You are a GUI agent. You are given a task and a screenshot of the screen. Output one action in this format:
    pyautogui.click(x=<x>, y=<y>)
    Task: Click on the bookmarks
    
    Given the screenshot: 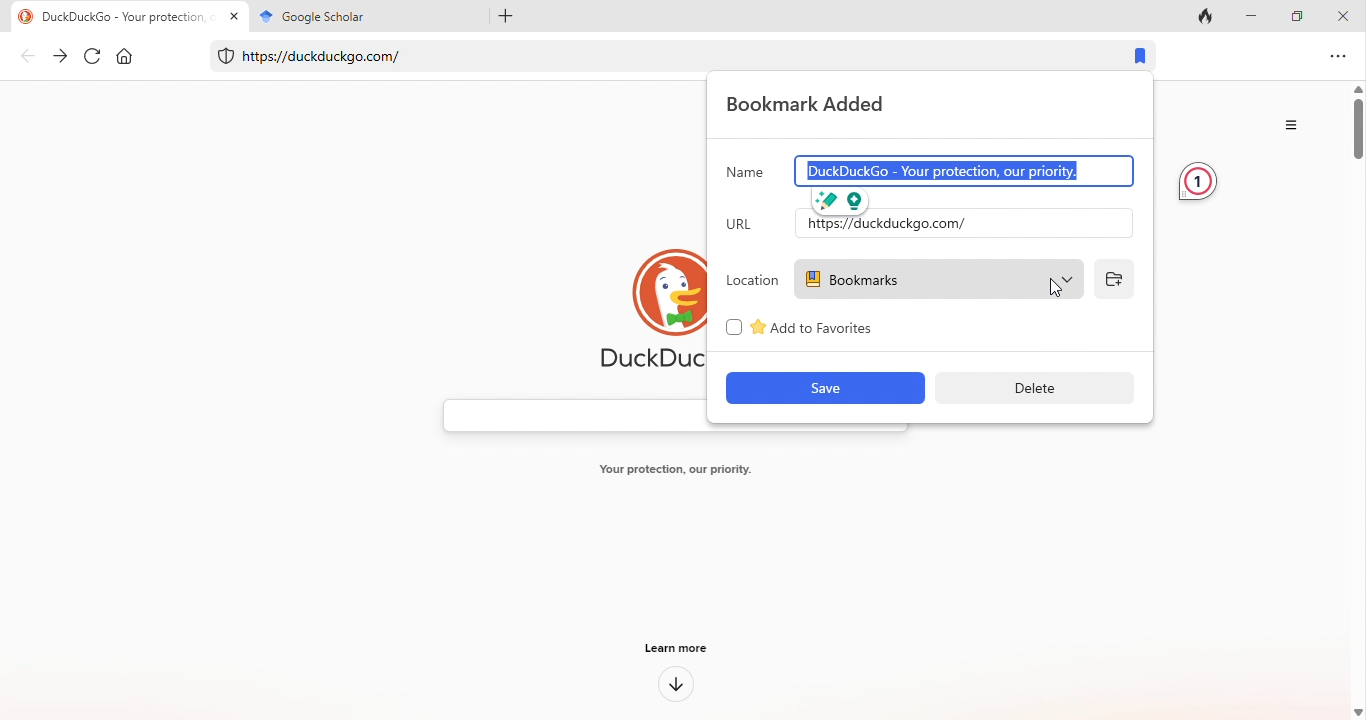 What is the action you would take?
    pyautogui.click(x=944, y=279)
    